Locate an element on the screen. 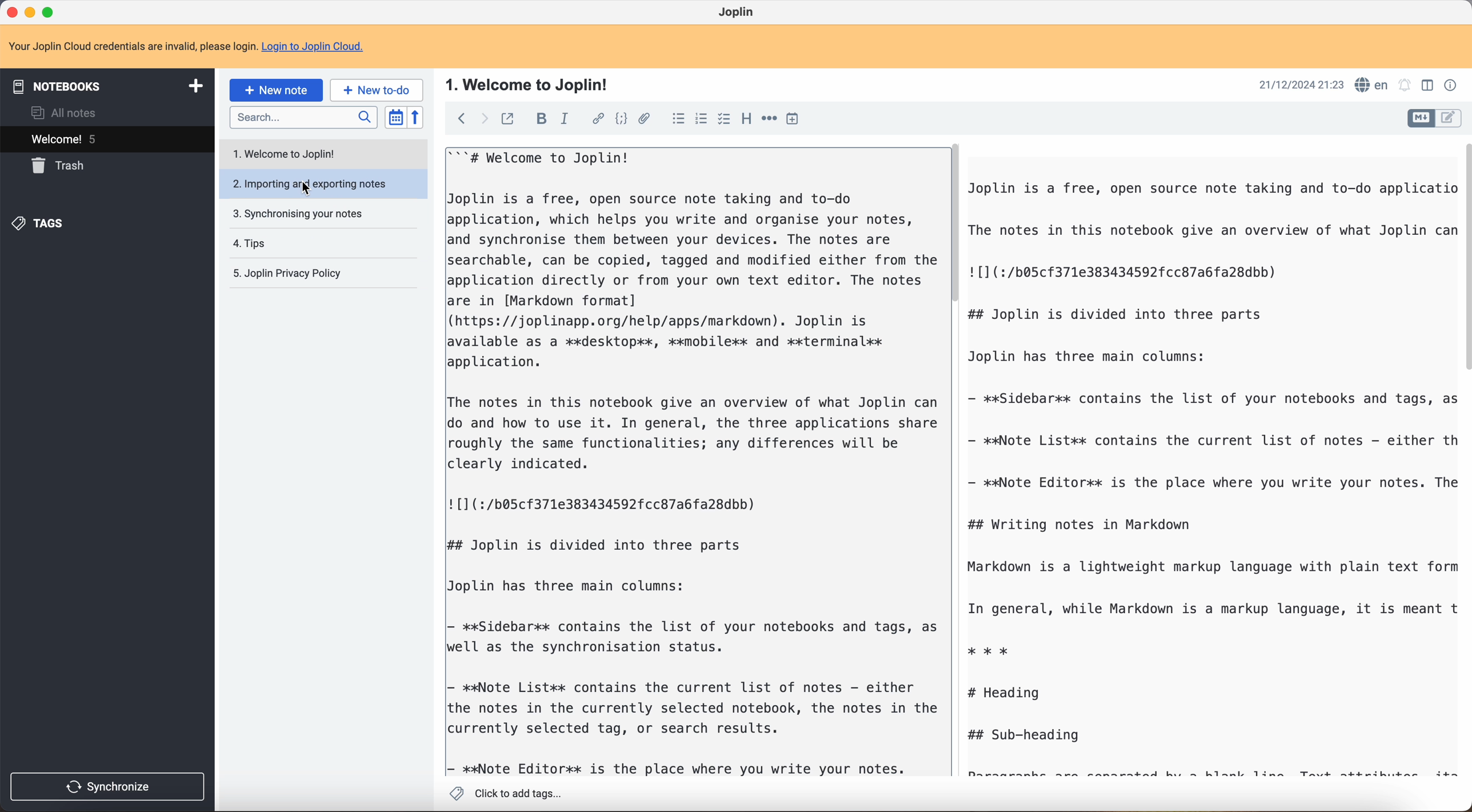 The height and width of the screenshot is (812, 1472). foward is located at coordinates (481, 119).